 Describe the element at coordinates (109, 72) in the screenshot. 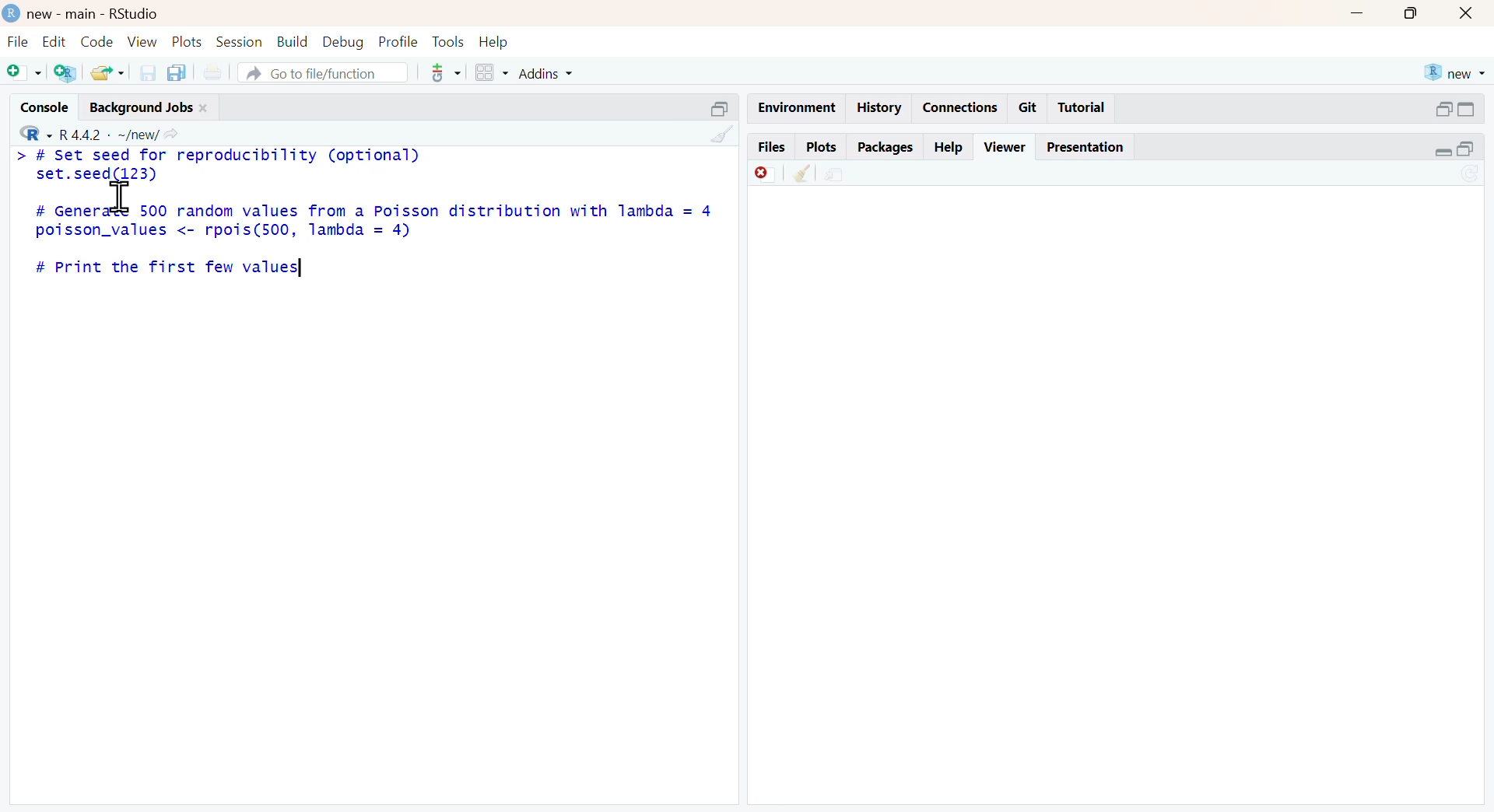

I see `share folder as` at that location.